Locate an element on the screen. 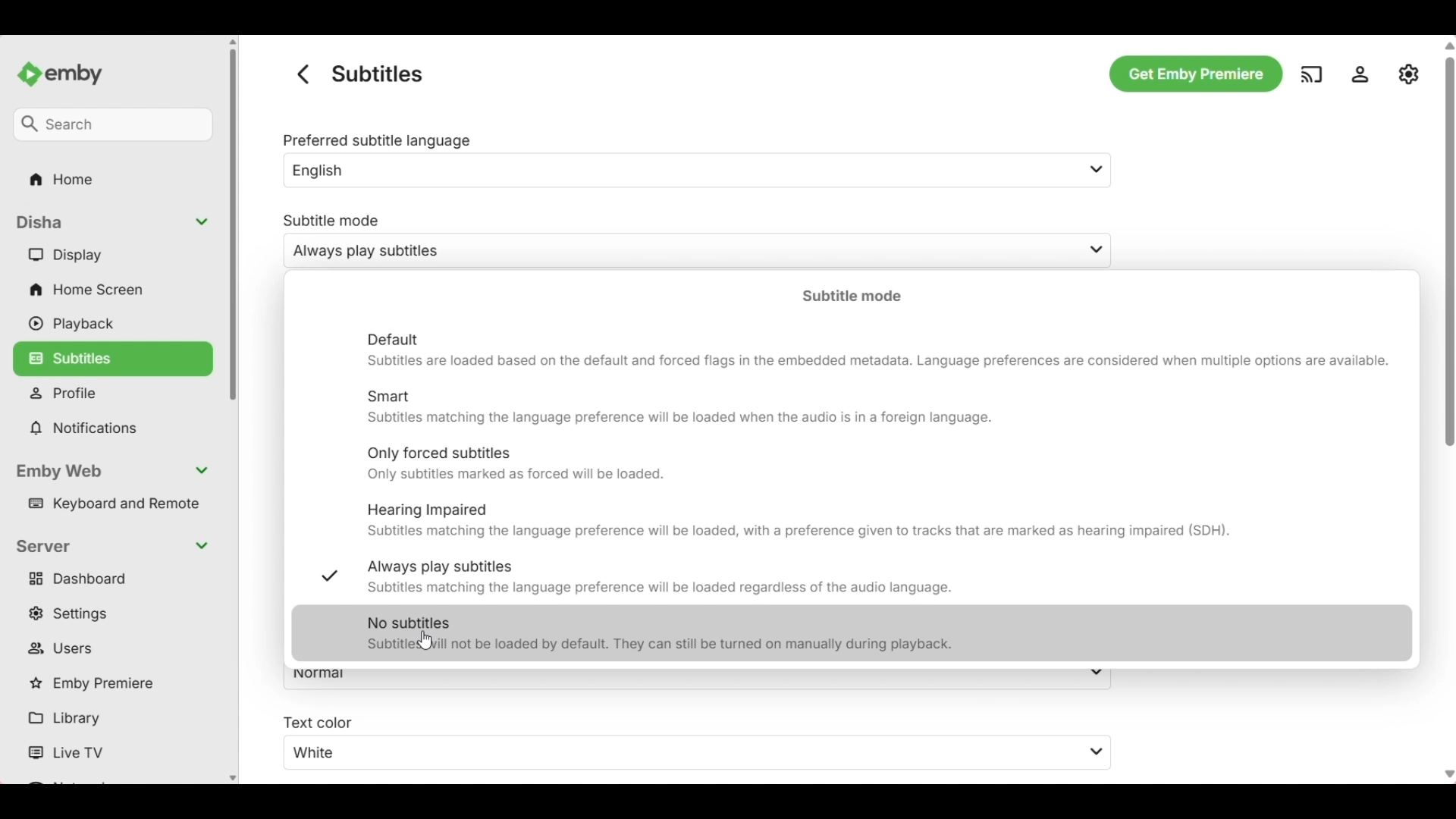 The image size is (1456, 819). Collapse Emby web is located at coordinates (116, 472).